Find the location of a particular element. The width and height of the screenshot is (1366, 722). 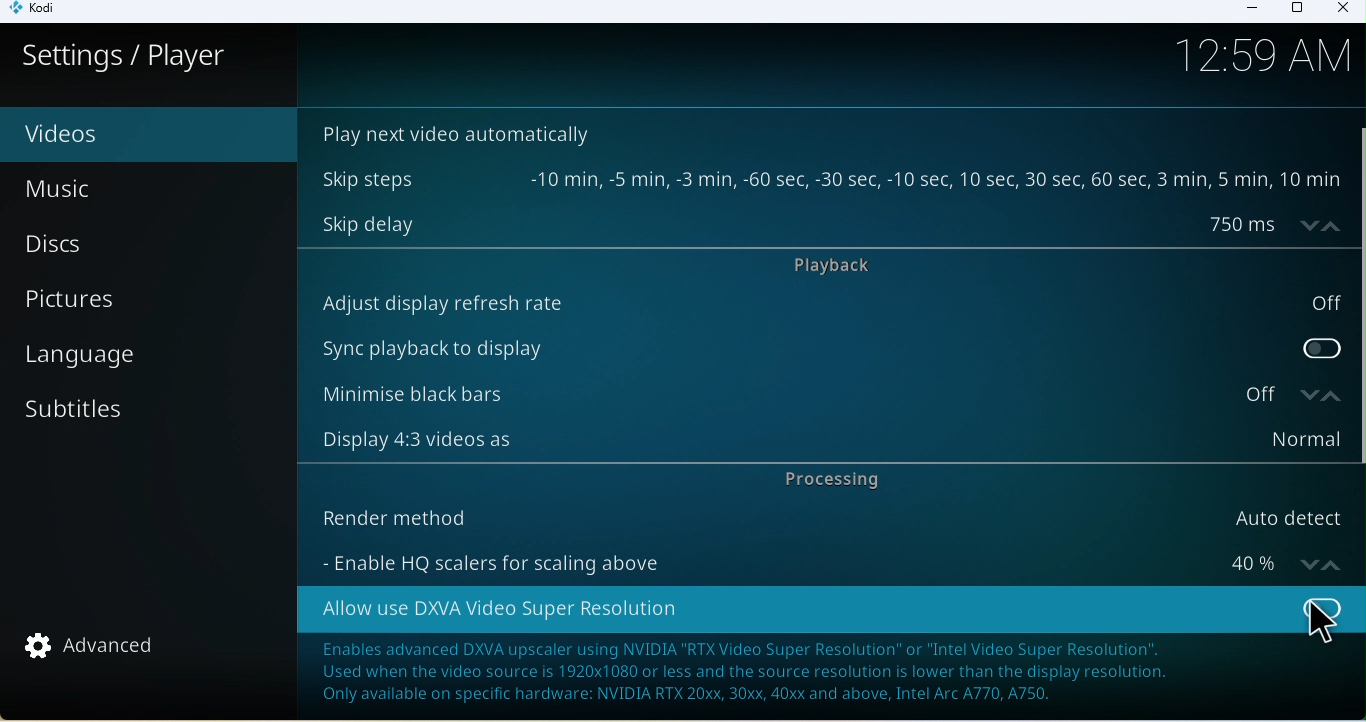

Render method is located at coordinates (827, 515).